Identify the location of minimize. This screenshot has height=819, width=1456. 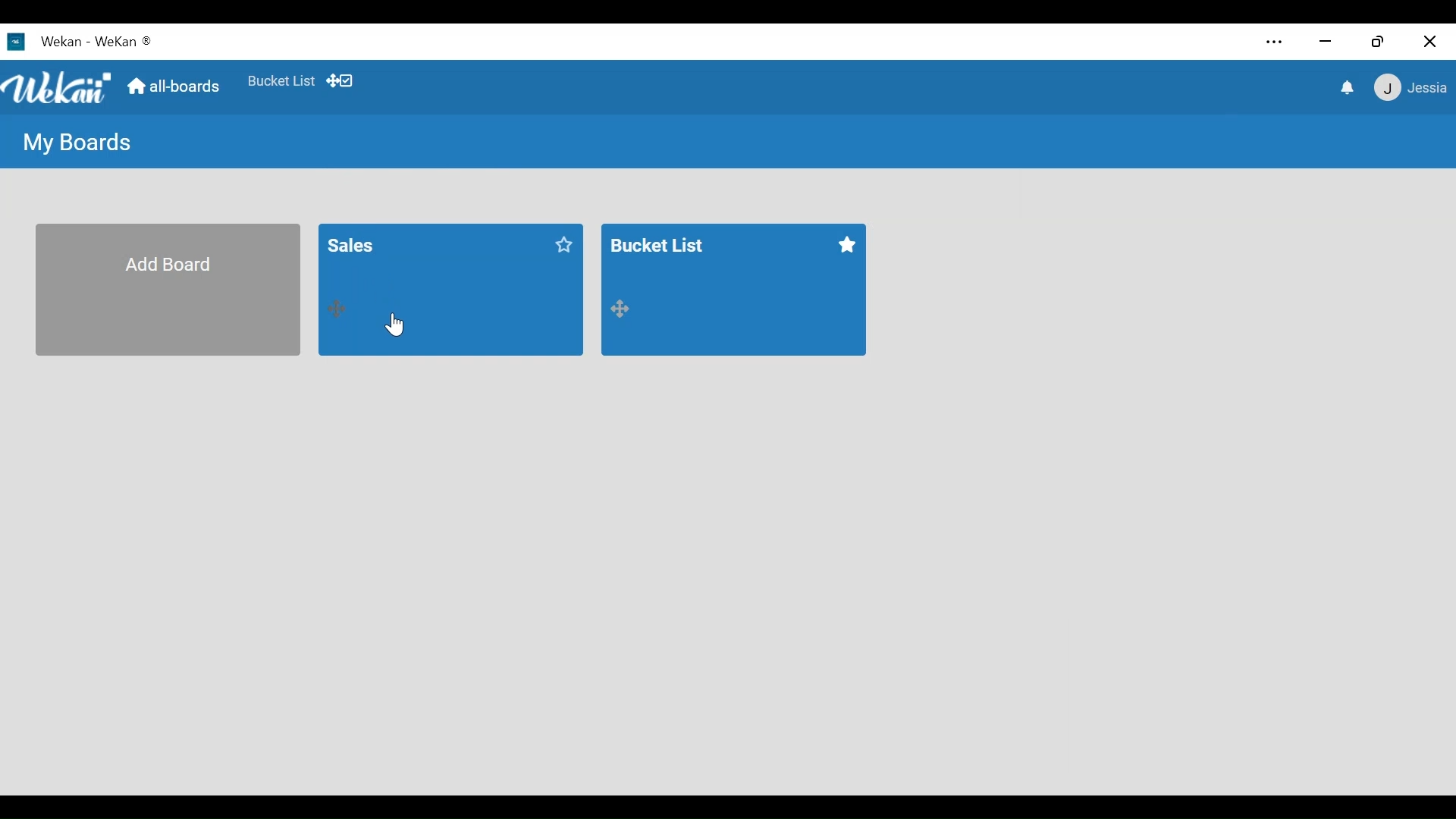
(1326, 40).